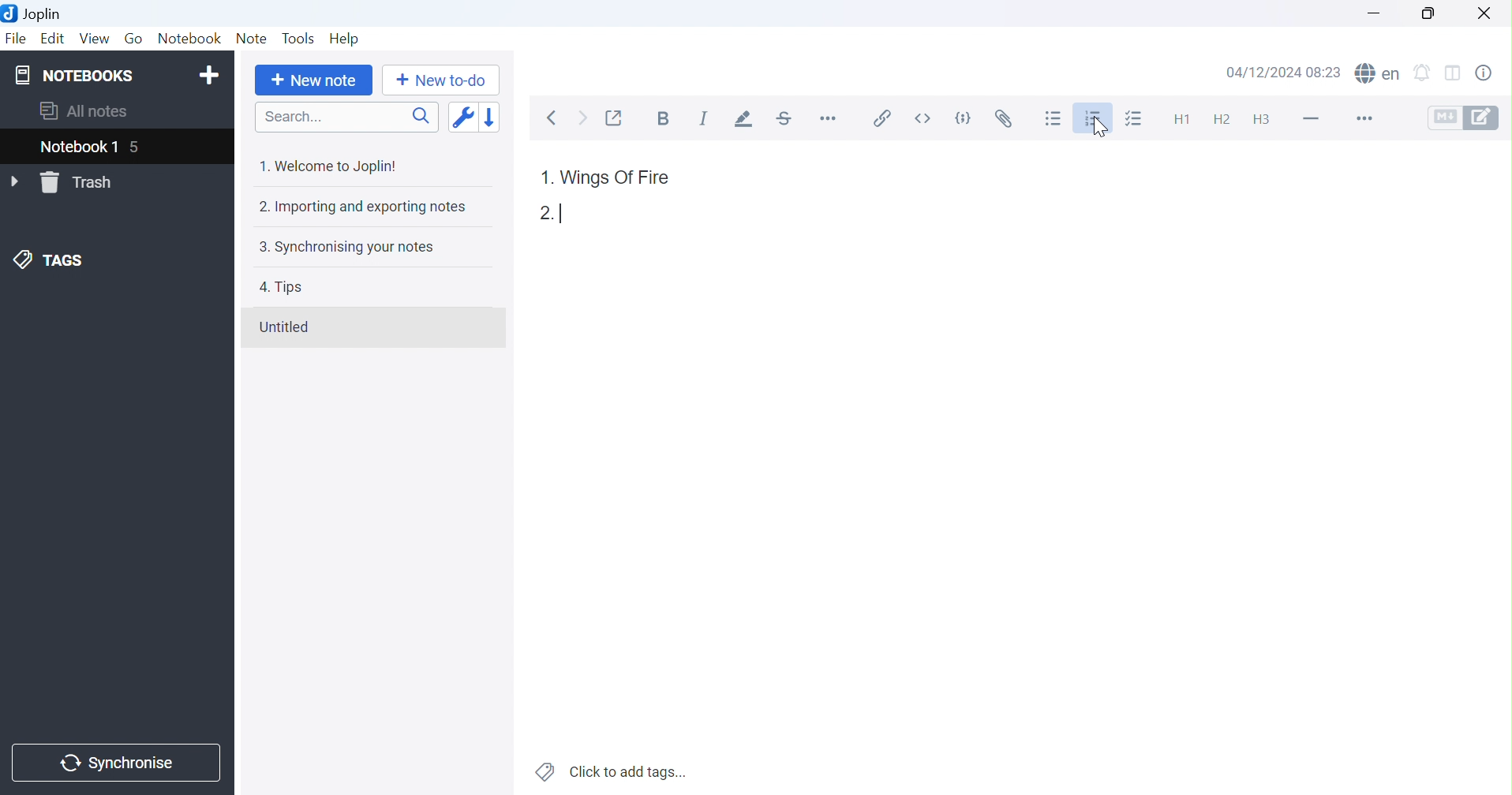 This screenshot has height=795, width=1512. Describe the element at coordinates (16, 39) in the screenshot. I see `File` at that location.